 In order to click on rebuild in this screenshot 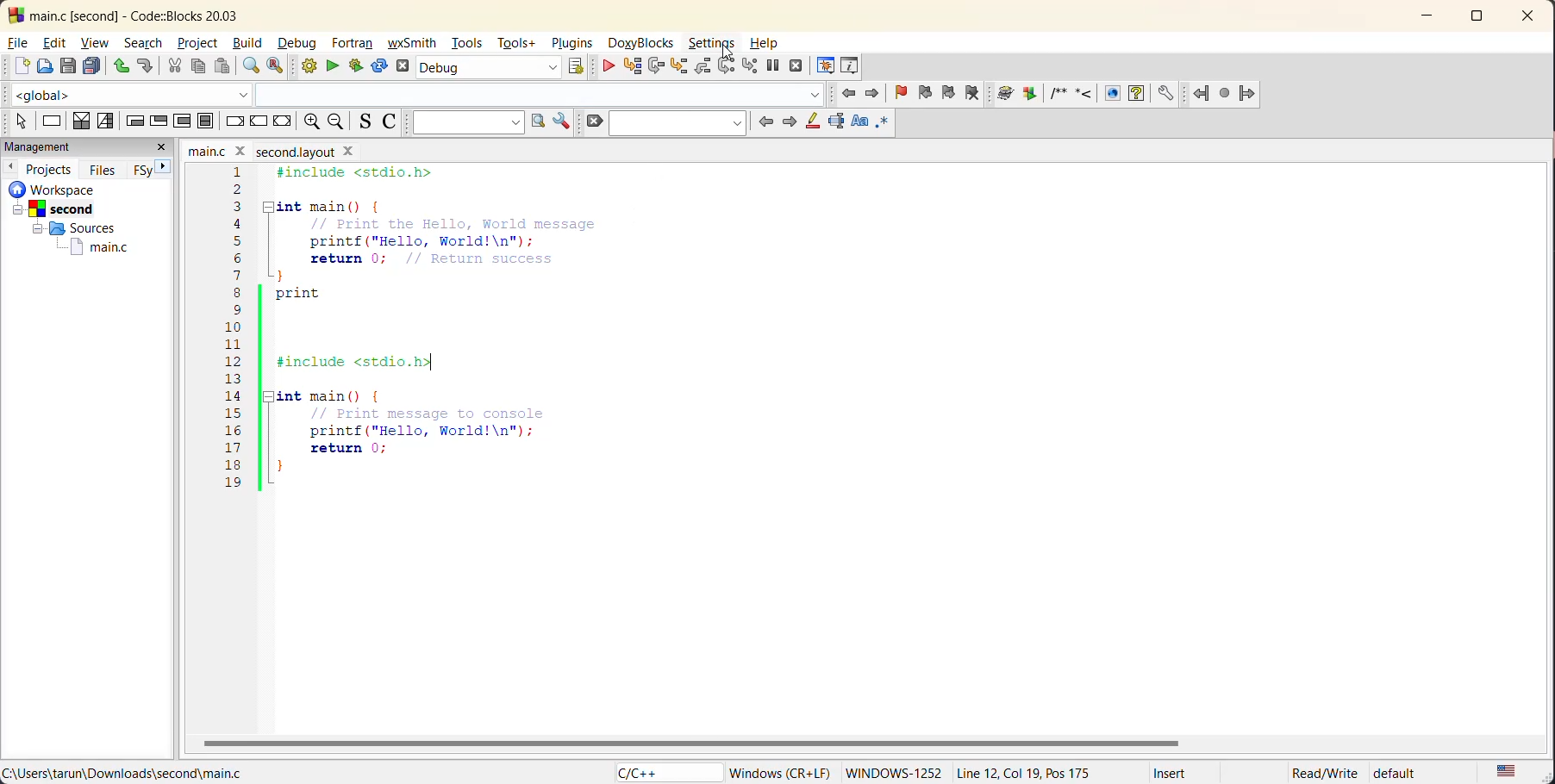, I will do `click(381, 66)`.